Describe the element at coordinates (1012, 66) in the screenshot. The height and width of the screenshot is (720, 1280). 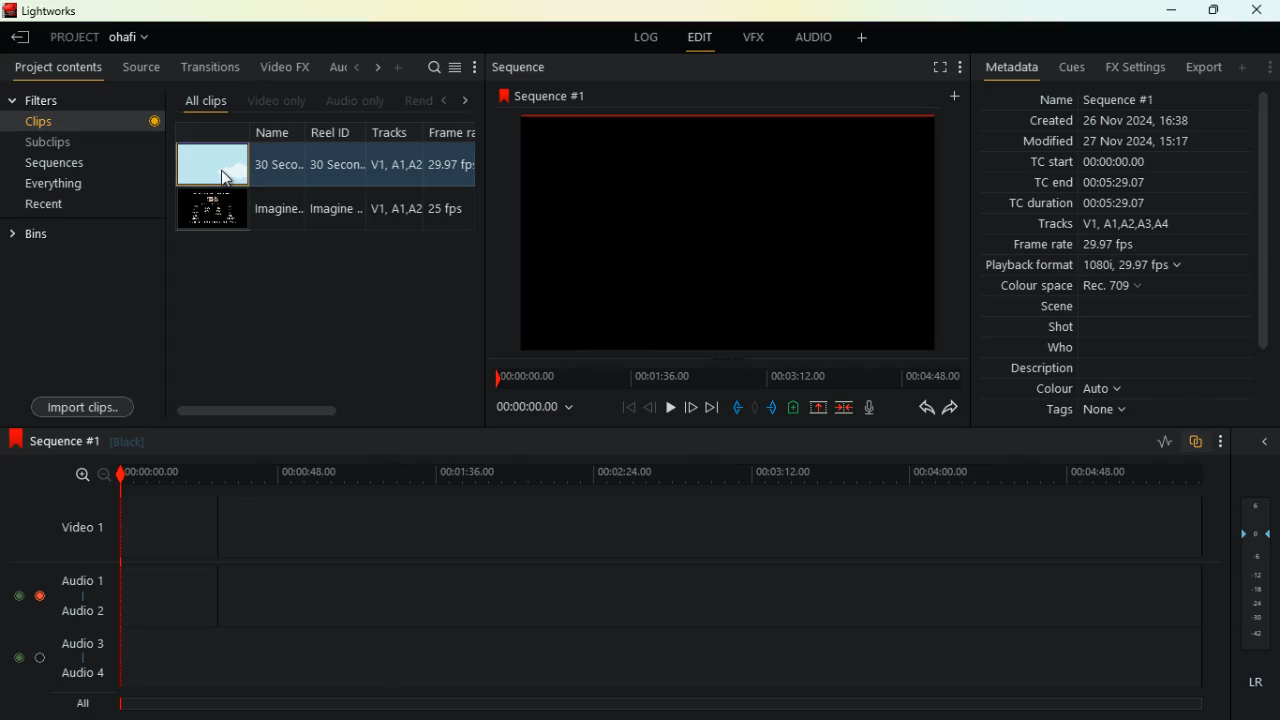
I see `metadata` at that location.